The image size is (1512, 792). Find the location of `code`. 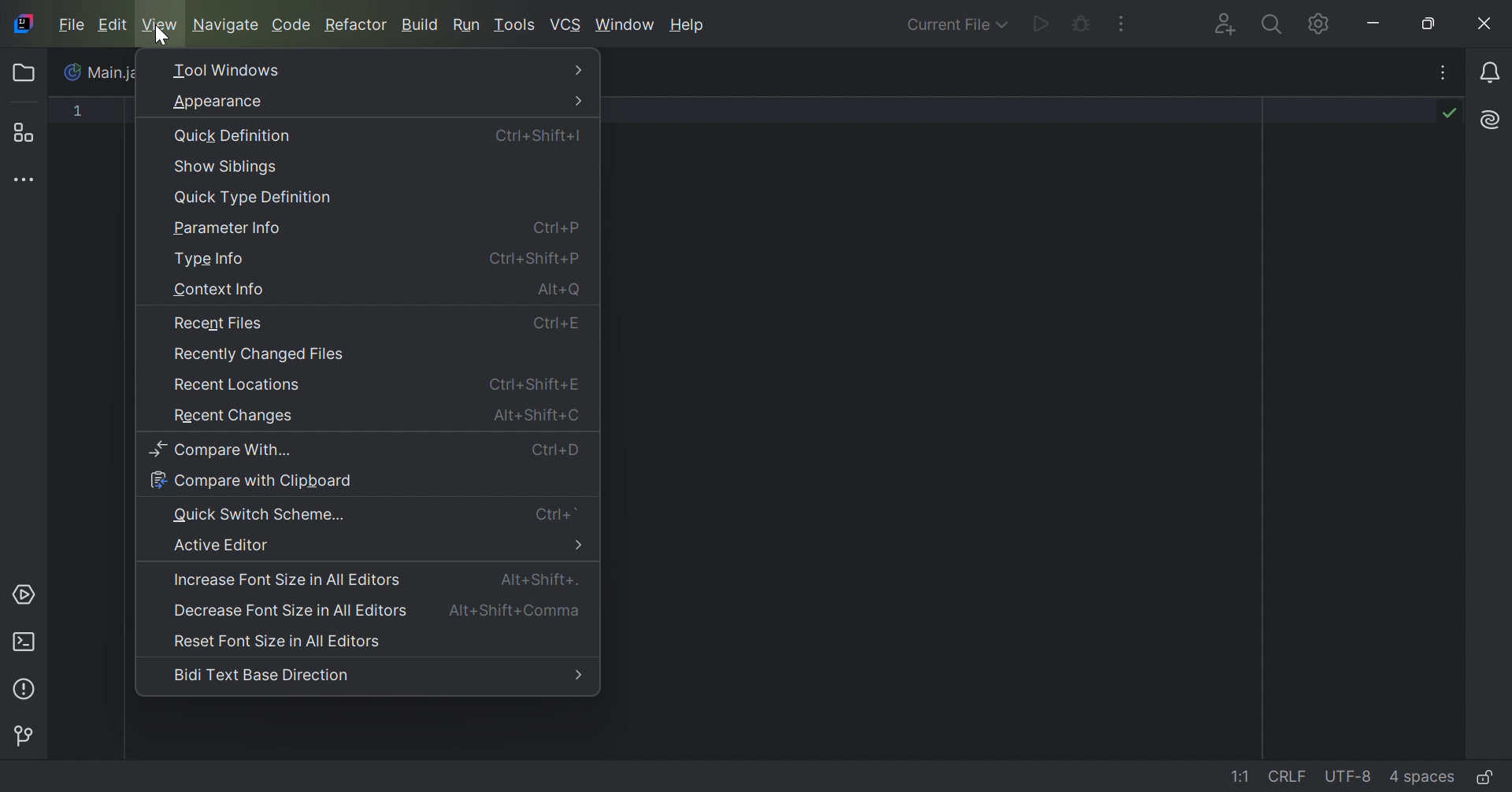

code is located at coordinates (291, 27).